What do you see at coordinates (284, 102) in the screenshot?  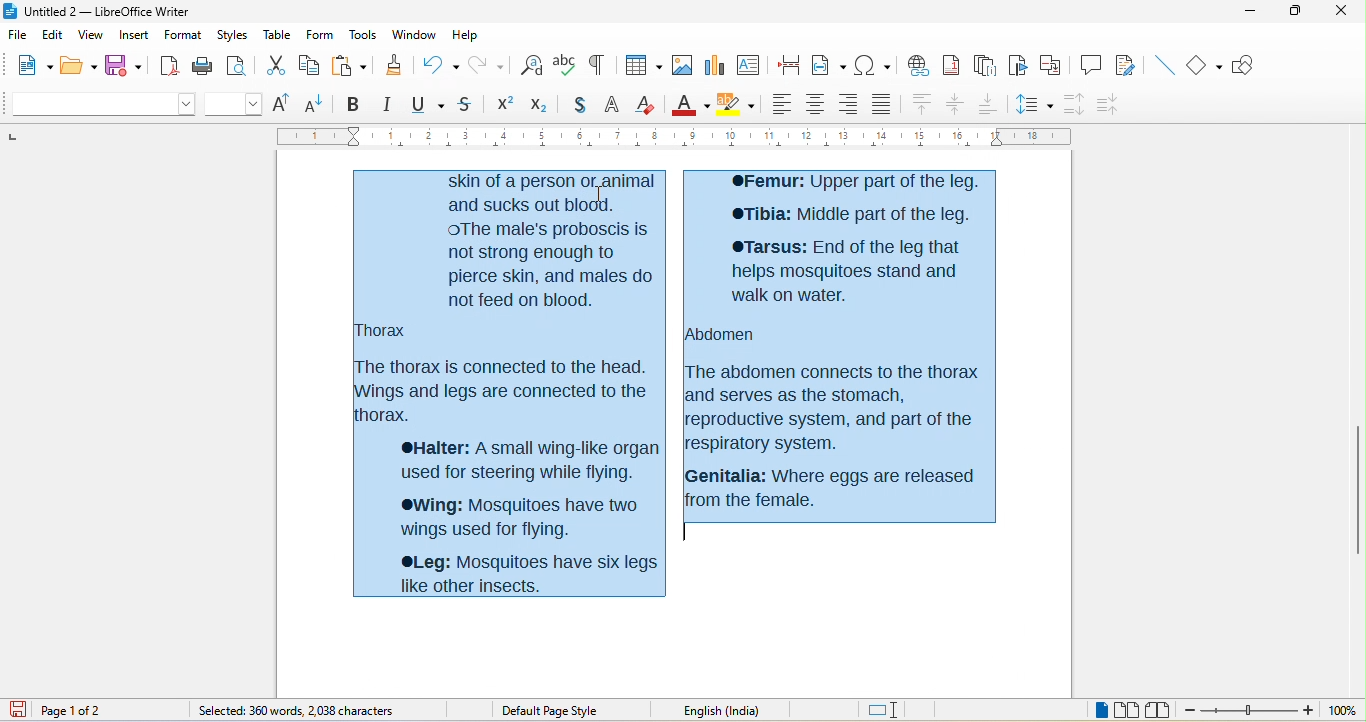 I see `increase size` at bounding box center [284, 102].